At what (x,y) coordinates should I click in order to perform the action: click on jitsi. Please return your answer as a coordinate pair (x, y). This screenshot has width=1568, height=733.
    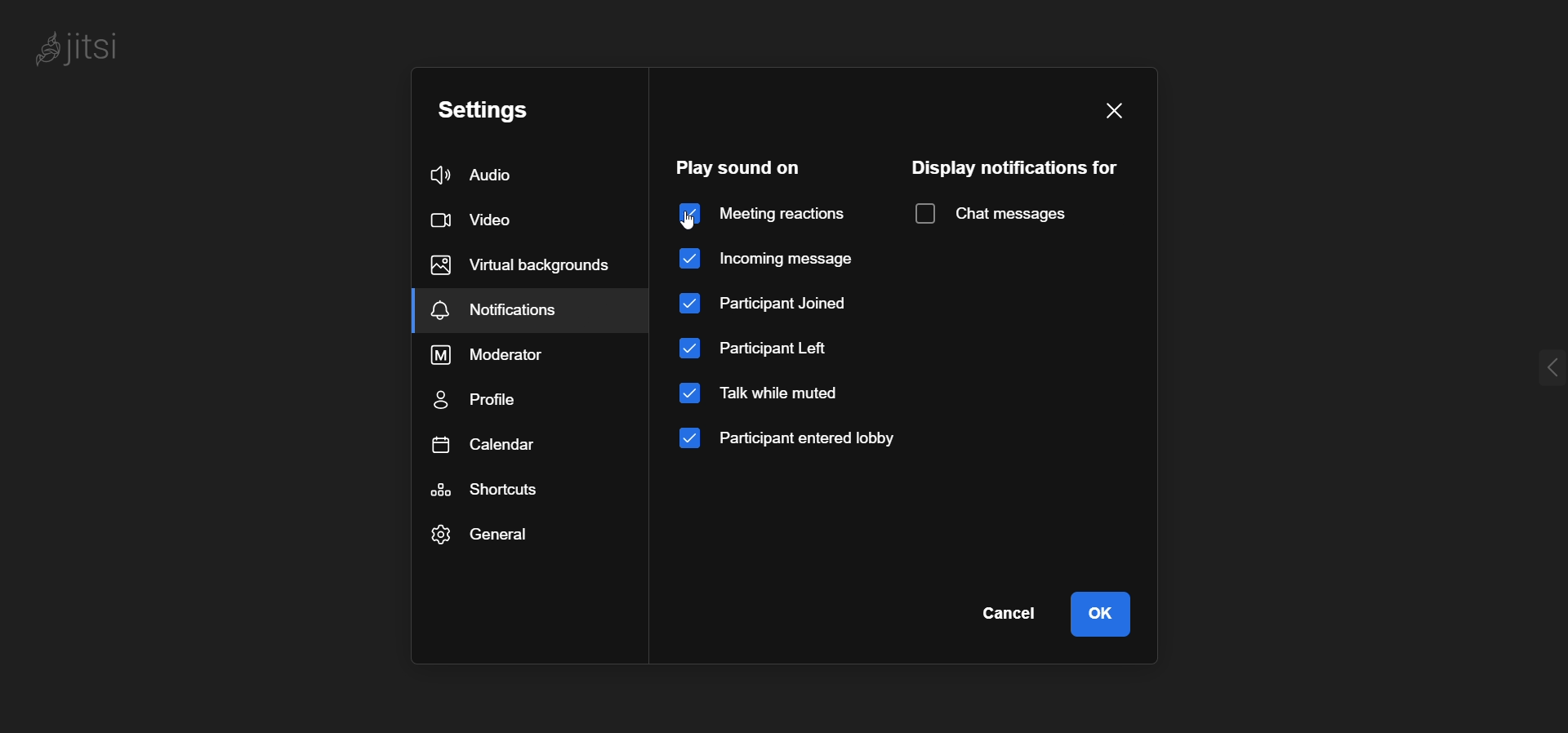
    Looking at the image, I should click on (89, 47).